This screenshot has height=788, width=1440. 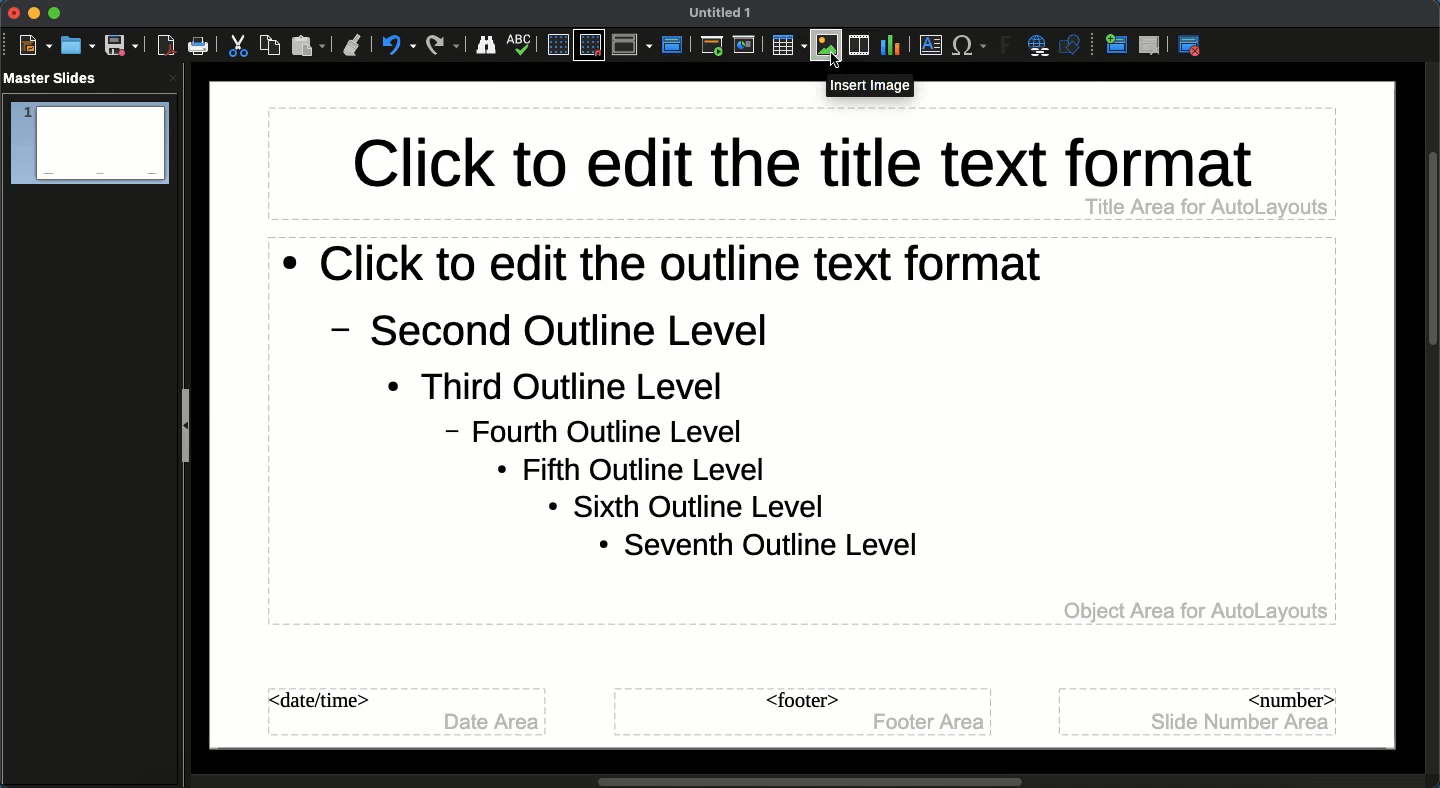 I want to click on Close, so click(x=11, y=15).